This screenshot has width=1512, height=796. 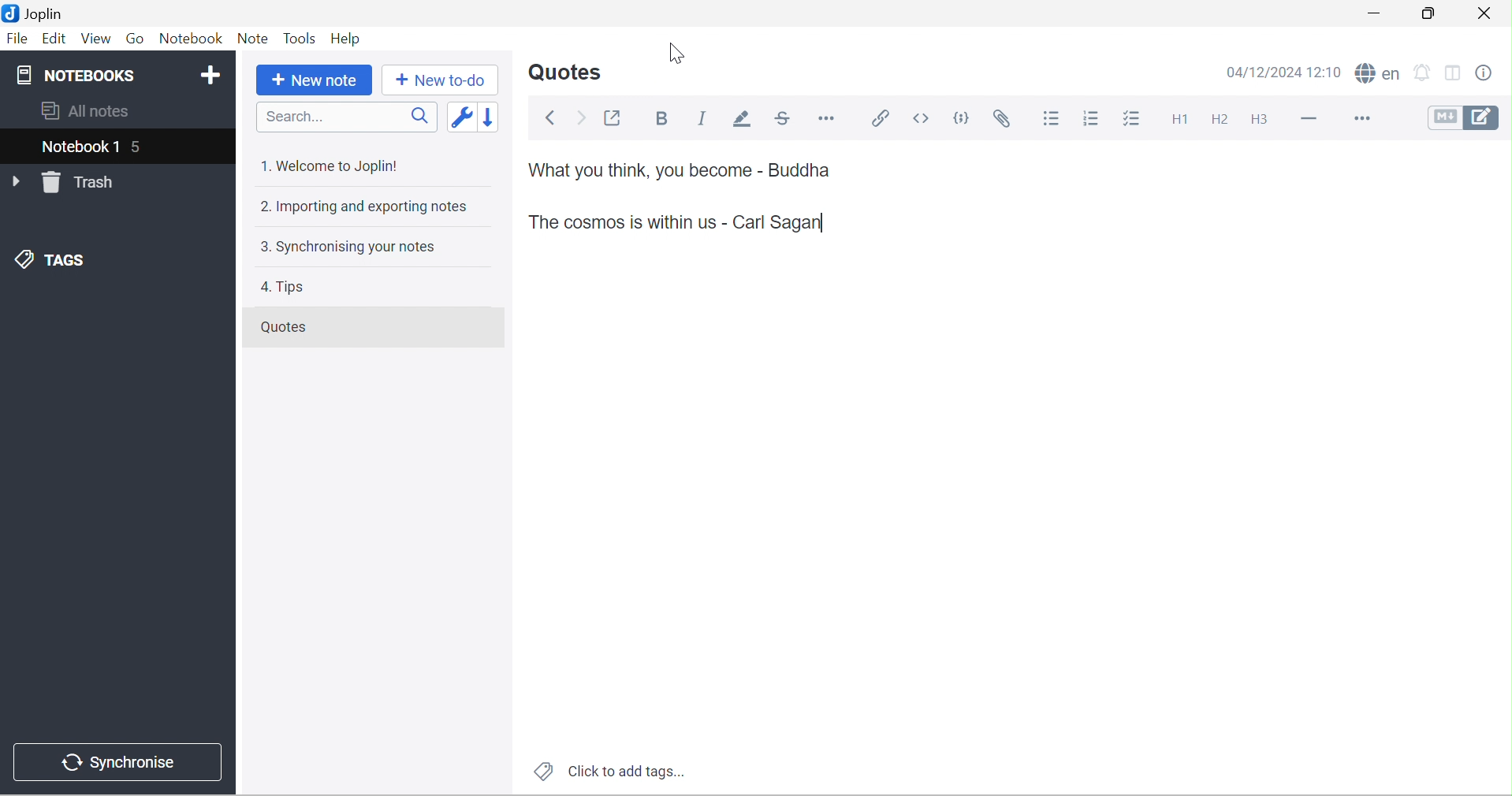 What do you see at coordinates (677, 52) in the screenshot?
I see `Cursor` at bounding box center [677, 52].